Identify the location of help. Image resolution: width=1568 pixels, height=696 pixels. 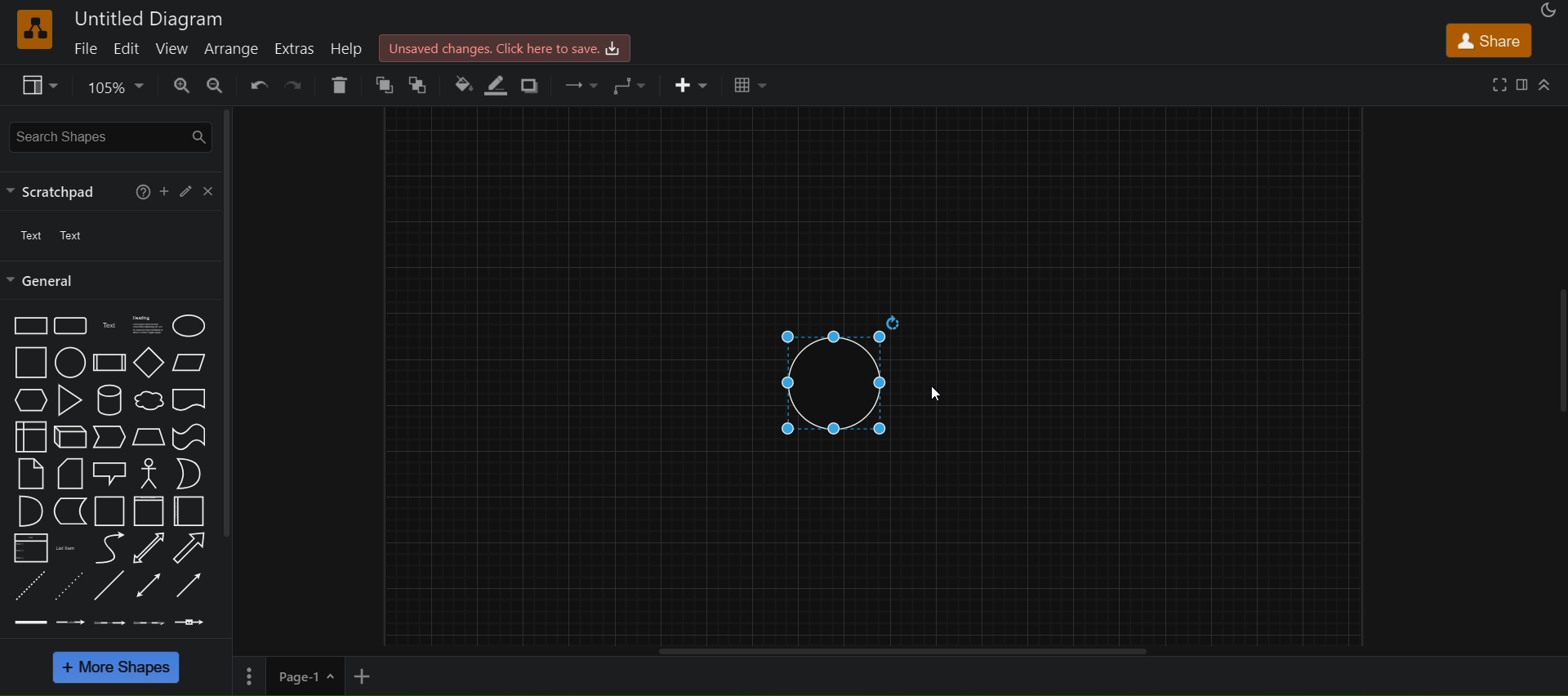
(345, 49).